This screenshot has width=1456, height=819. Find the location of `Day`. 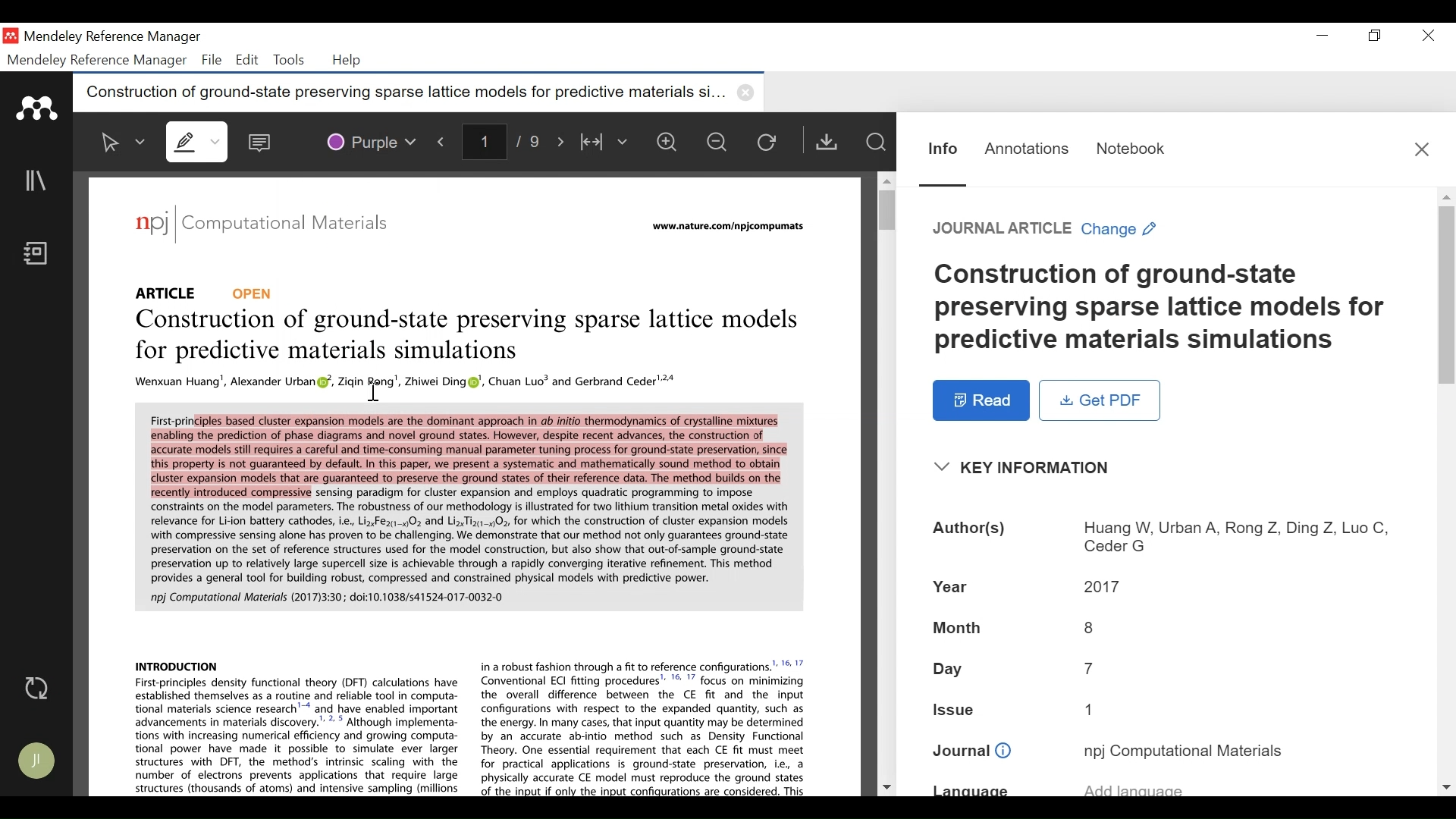

Day is located at coordinates (948, 670).